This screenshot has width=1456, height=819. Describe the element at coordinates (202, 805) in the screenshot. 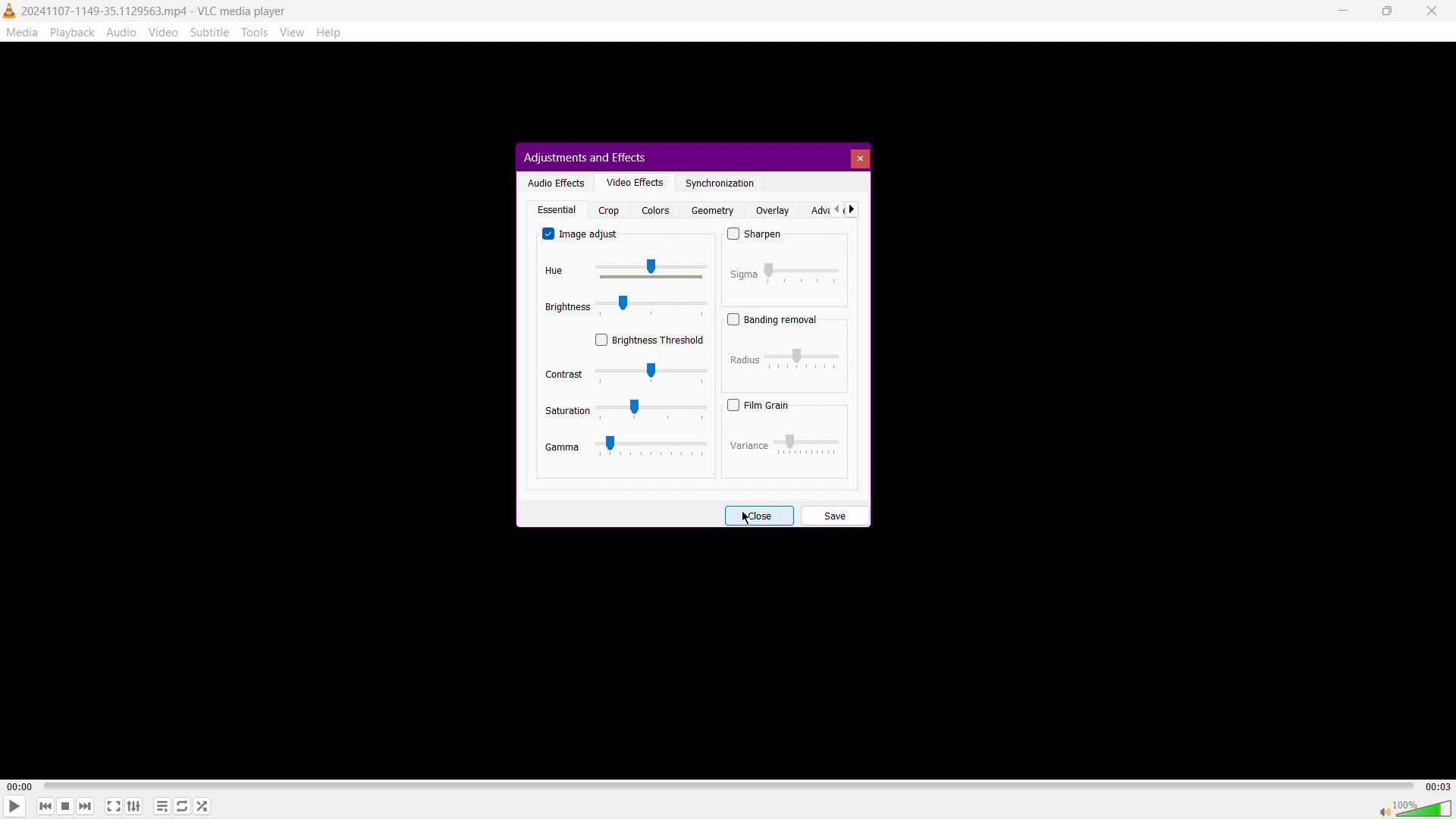

I see `Random` at that location.